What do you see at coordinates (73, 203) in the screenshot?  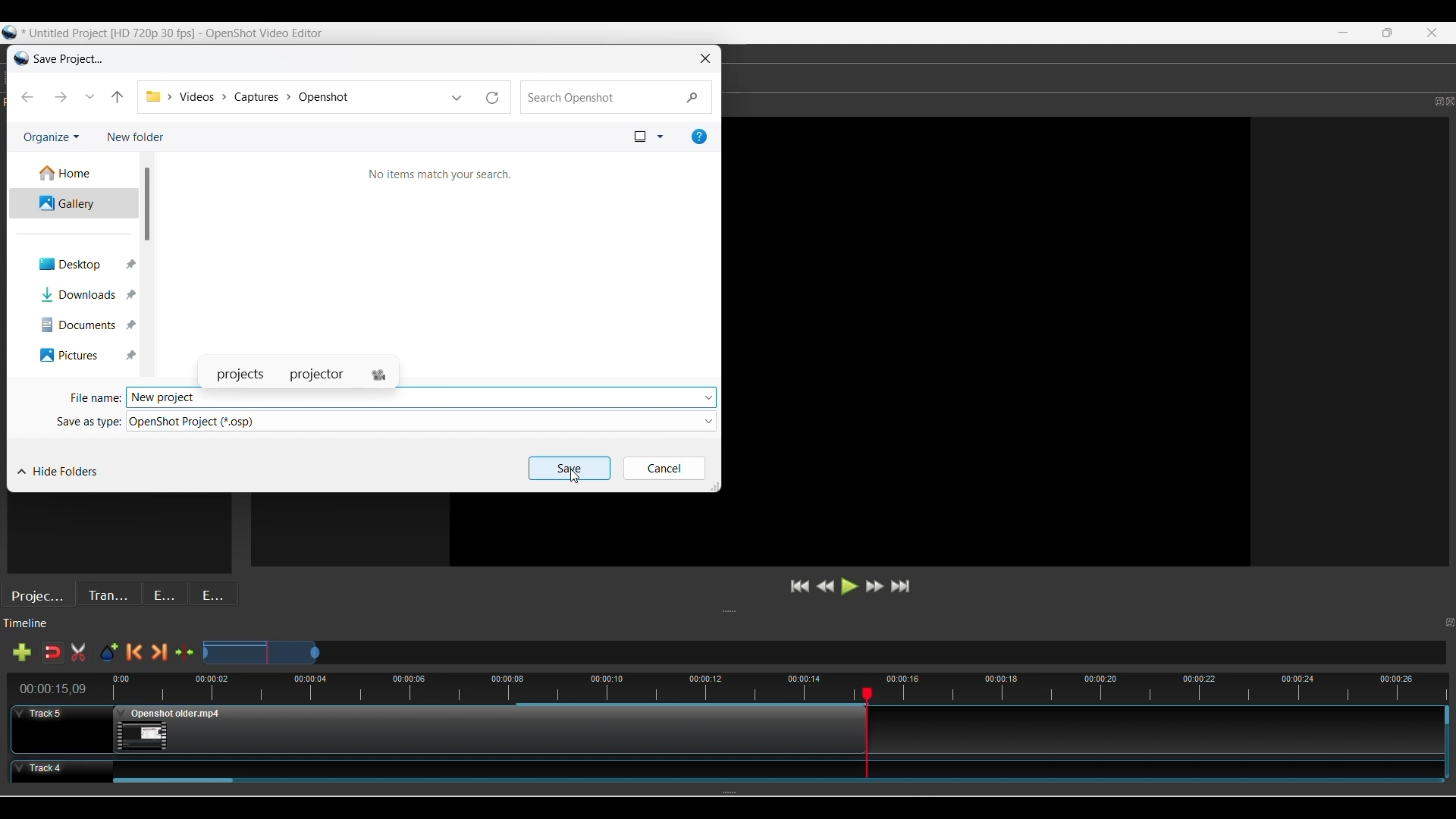 I see `Gallery/Current folder` at bounding box center [73, 203].